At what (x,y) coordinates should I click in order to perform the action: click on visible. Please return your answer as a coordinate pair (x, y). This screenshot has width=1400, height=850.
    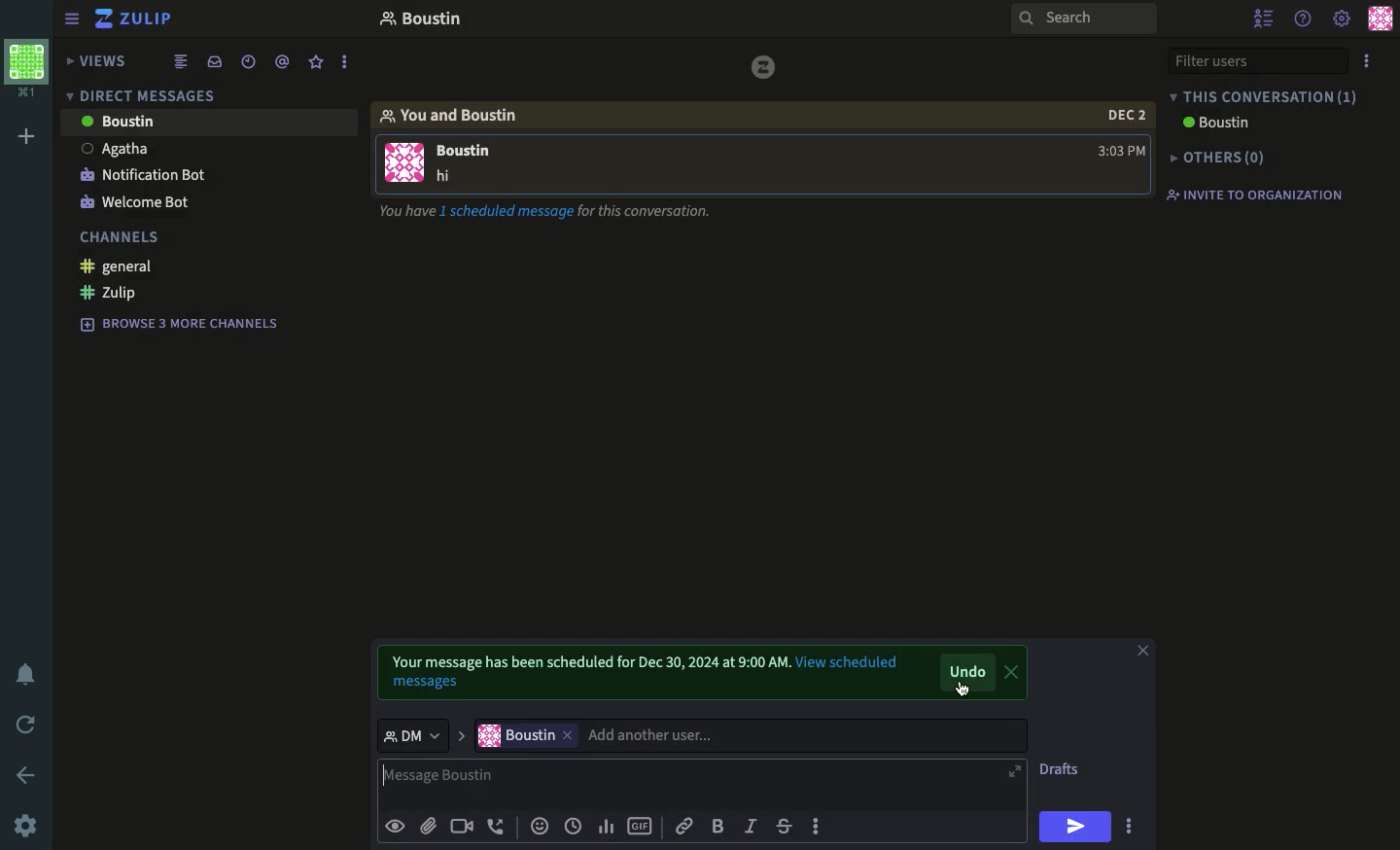
    Looking at the image, I should click on (398, 825).